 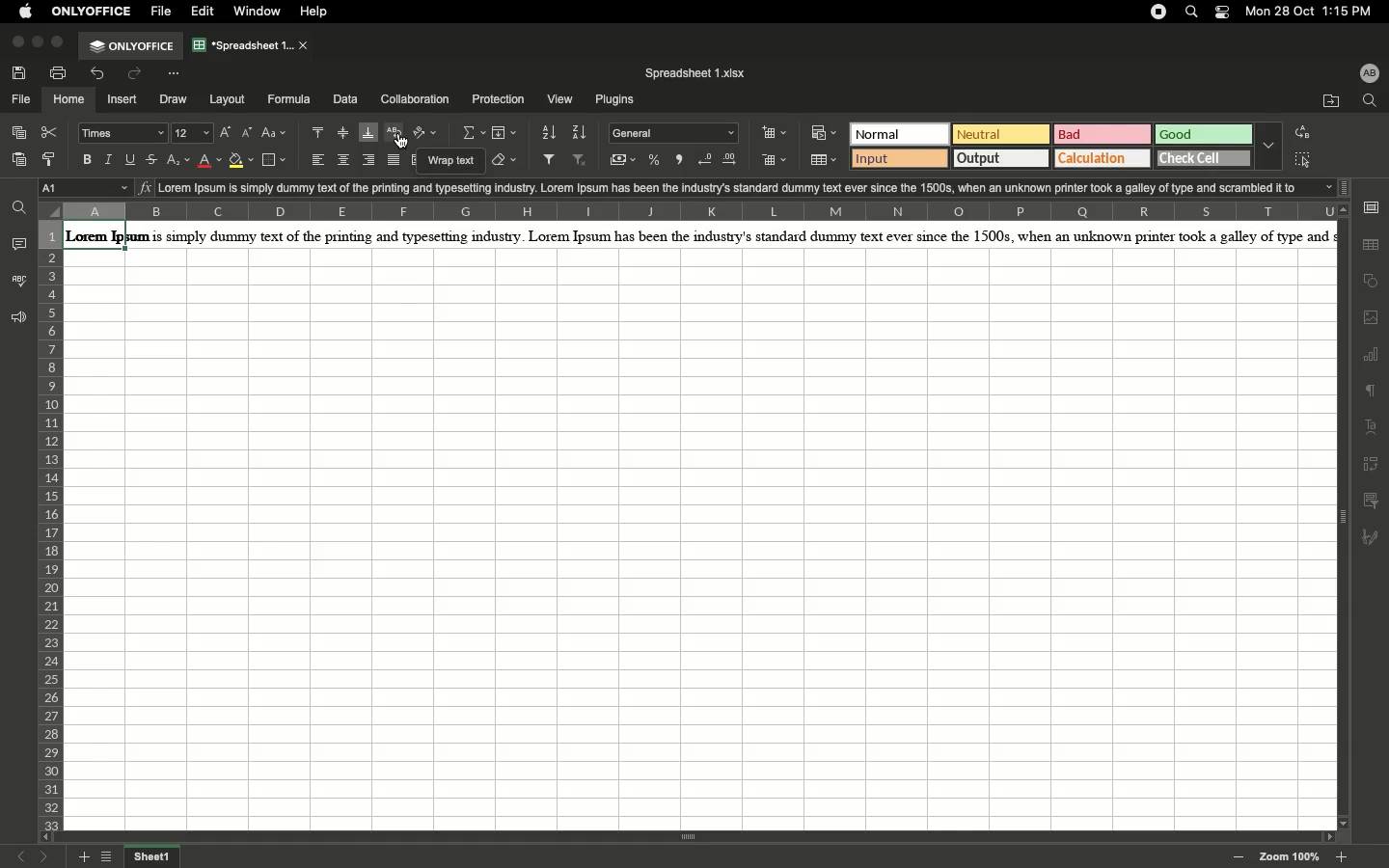 I want to click on Align bottom, so click(x=369, y=134).